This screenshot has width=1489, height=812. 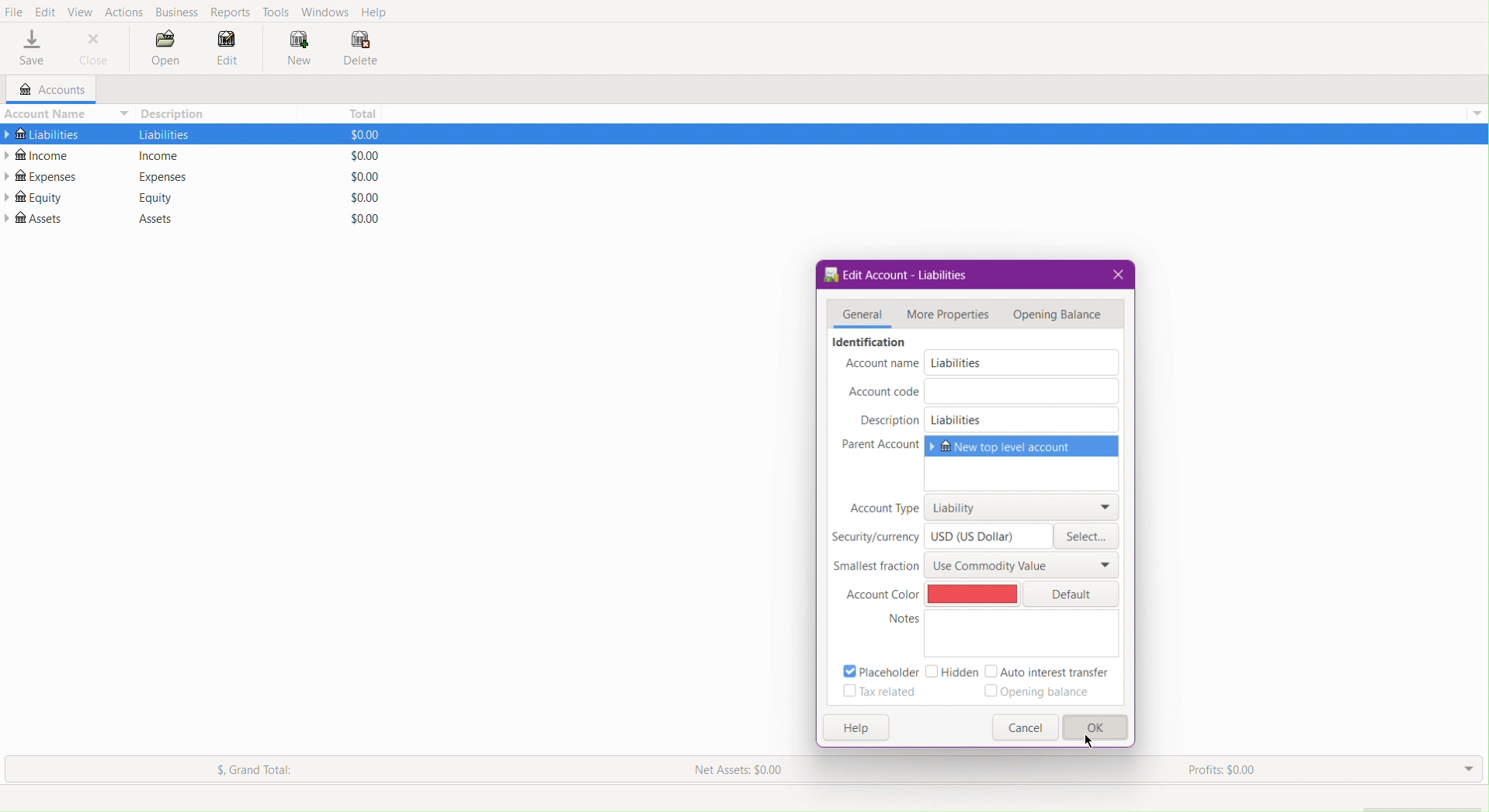 I want to click on Actions, so click(x=124, y=10).